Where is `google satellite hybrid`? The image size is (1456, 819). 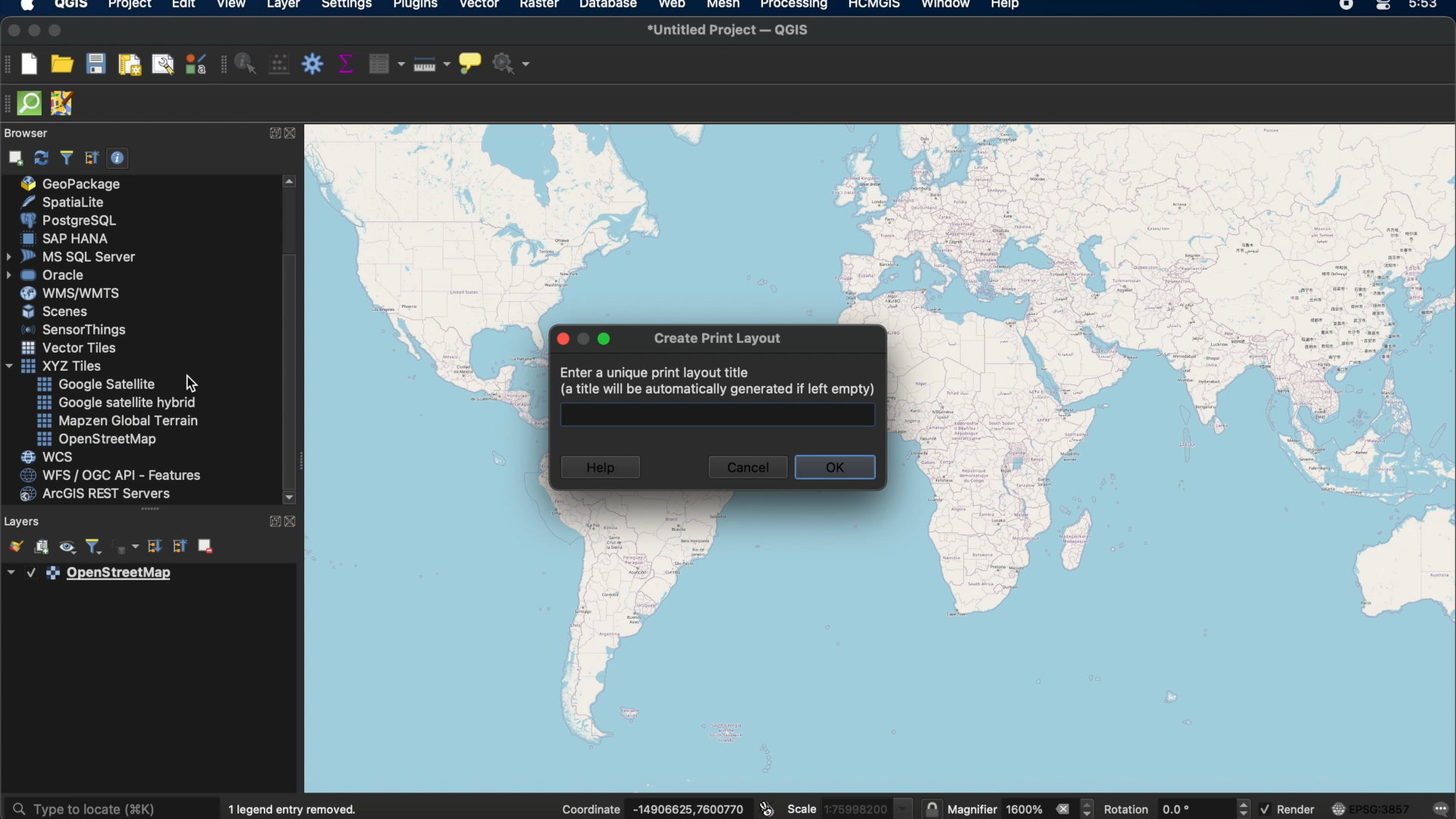
google satellite hybrid is located at coordinates (118, 402).